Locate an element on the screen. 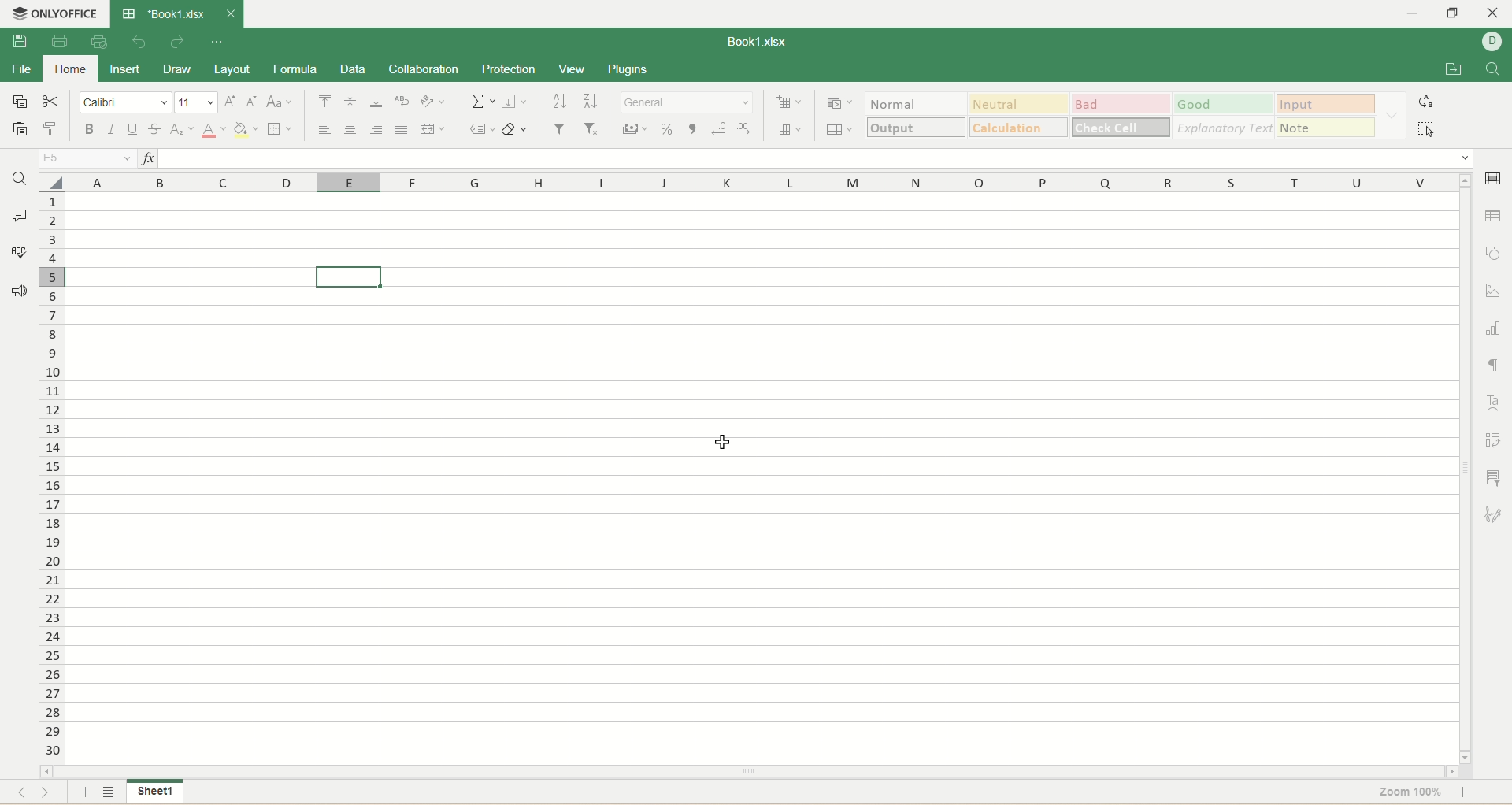 The height and width of the screenshot is (805, 1512). output is located at coordinates (917, 126).